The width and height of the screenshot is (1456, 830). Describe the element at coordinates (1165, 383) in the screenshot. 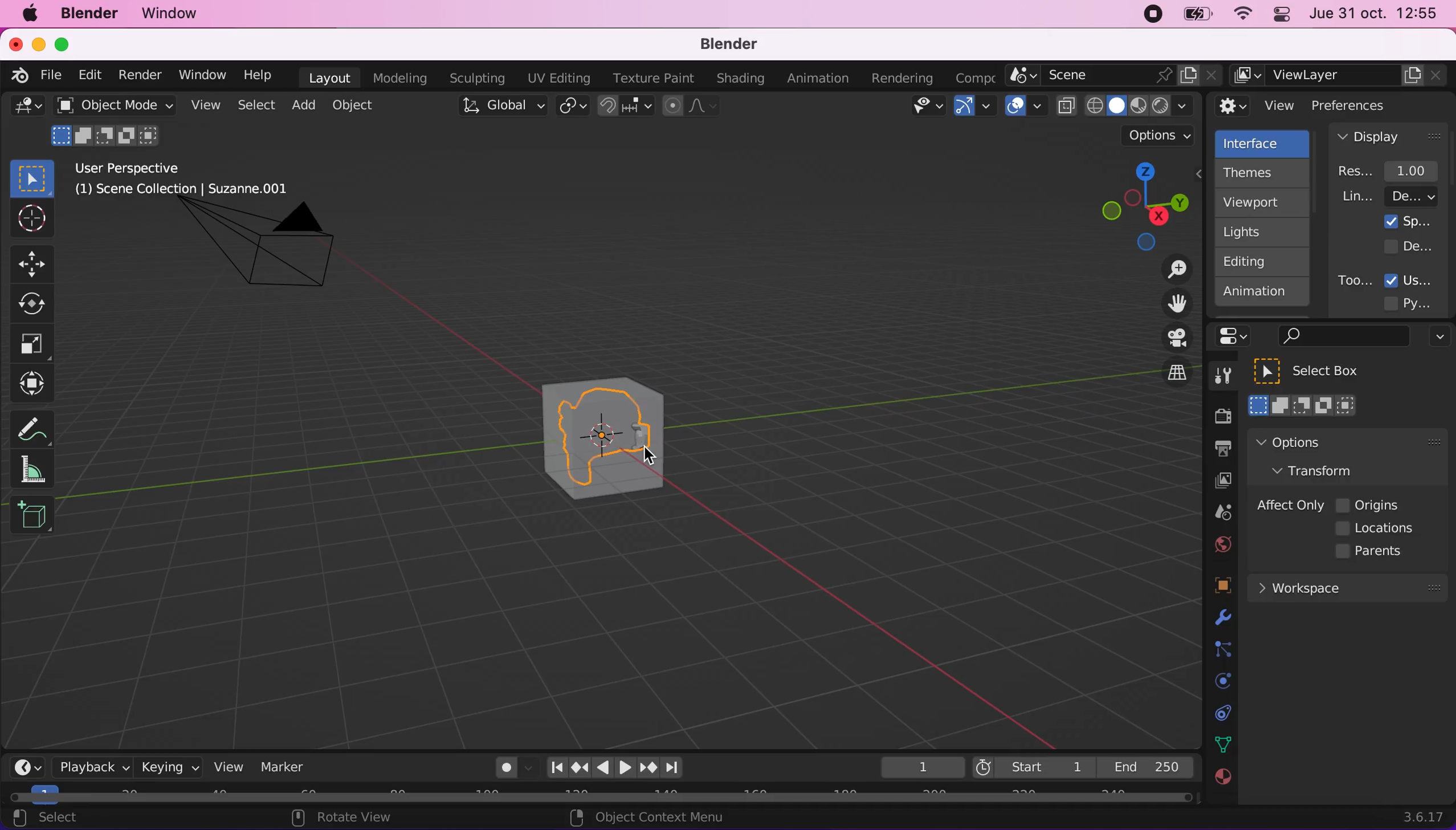

I see `switch the current view` at that location.